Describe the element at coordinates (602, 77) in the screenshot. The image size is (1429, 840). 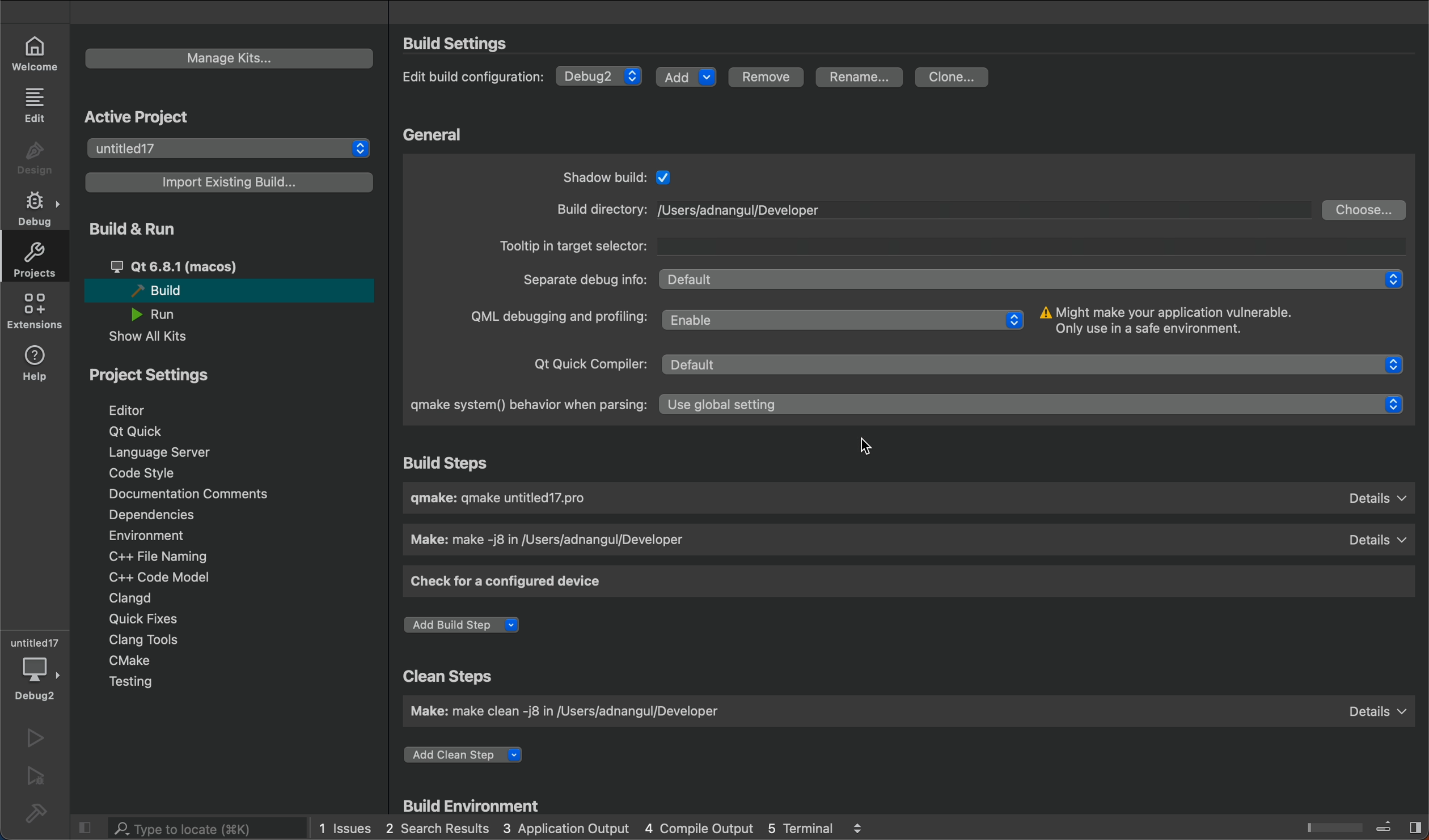
I see `debug type` at that location.